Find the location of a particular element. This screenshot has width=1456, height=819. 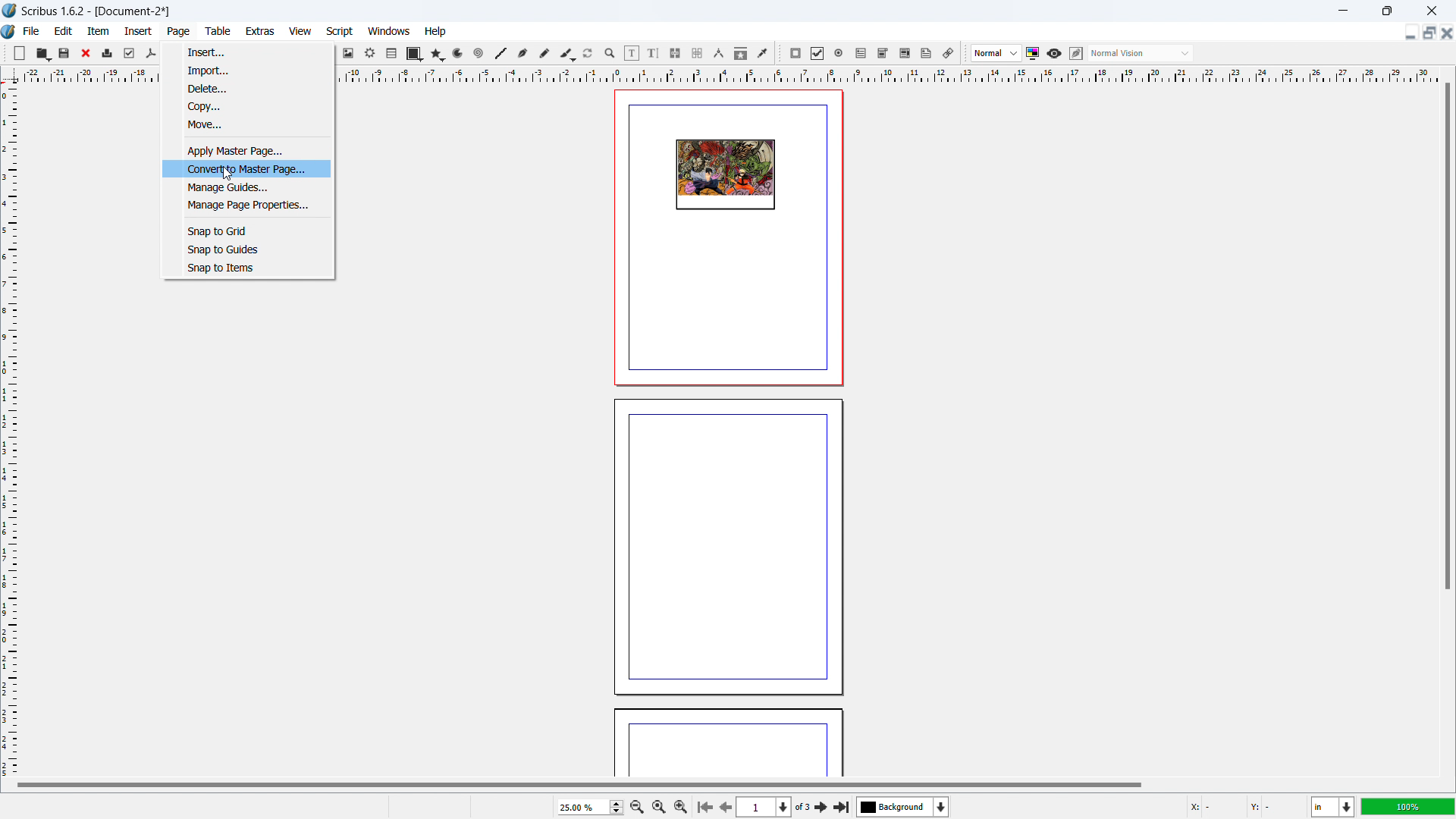

last page is located at coordinates (841, 805).